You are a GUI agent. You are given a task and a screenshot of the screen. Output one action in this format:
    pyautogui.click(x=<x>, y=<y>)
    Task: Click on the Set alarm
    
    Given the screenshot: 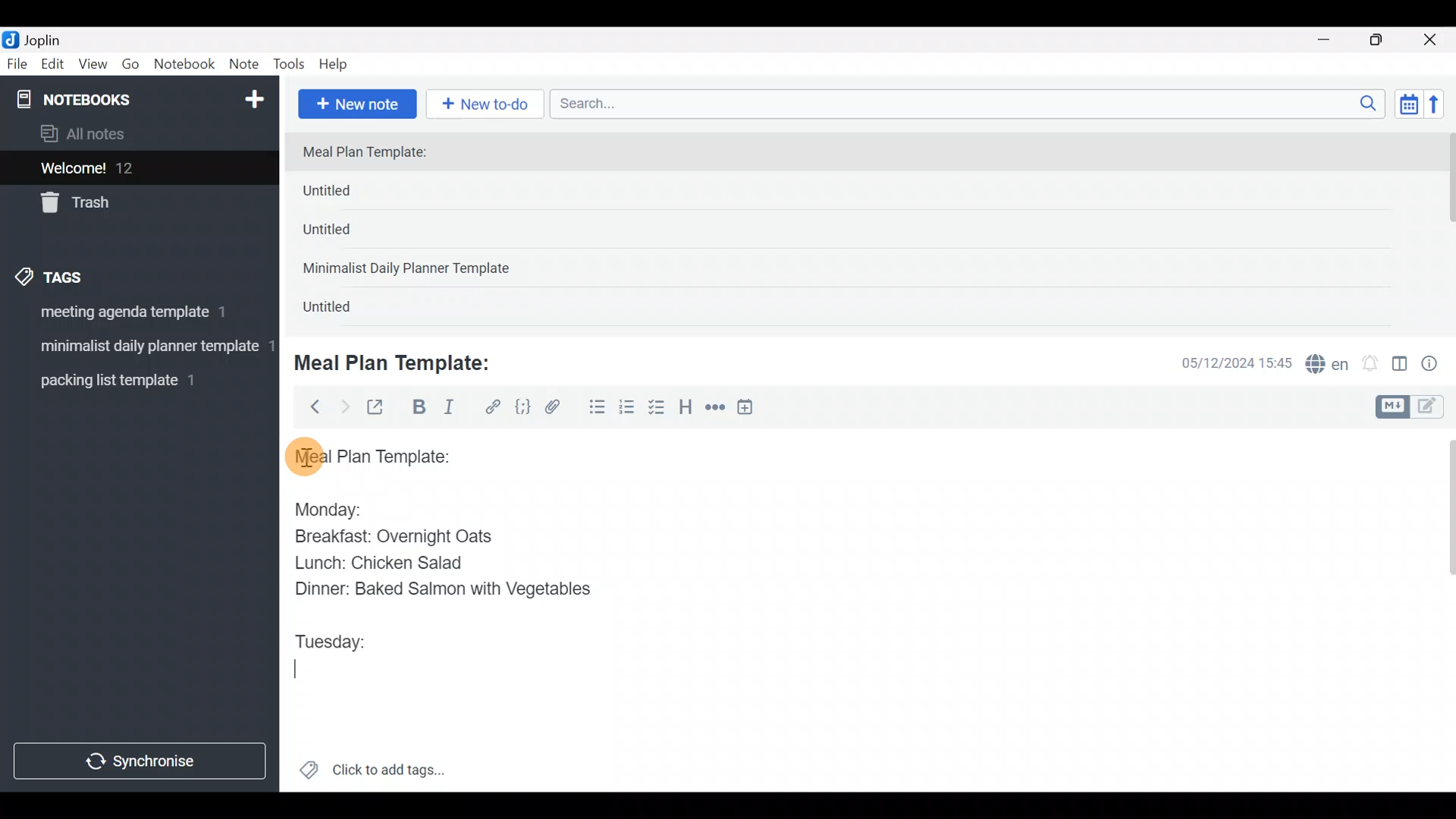 What is the action you would take?
    pyautogui.click(x=1371, y=365)
    